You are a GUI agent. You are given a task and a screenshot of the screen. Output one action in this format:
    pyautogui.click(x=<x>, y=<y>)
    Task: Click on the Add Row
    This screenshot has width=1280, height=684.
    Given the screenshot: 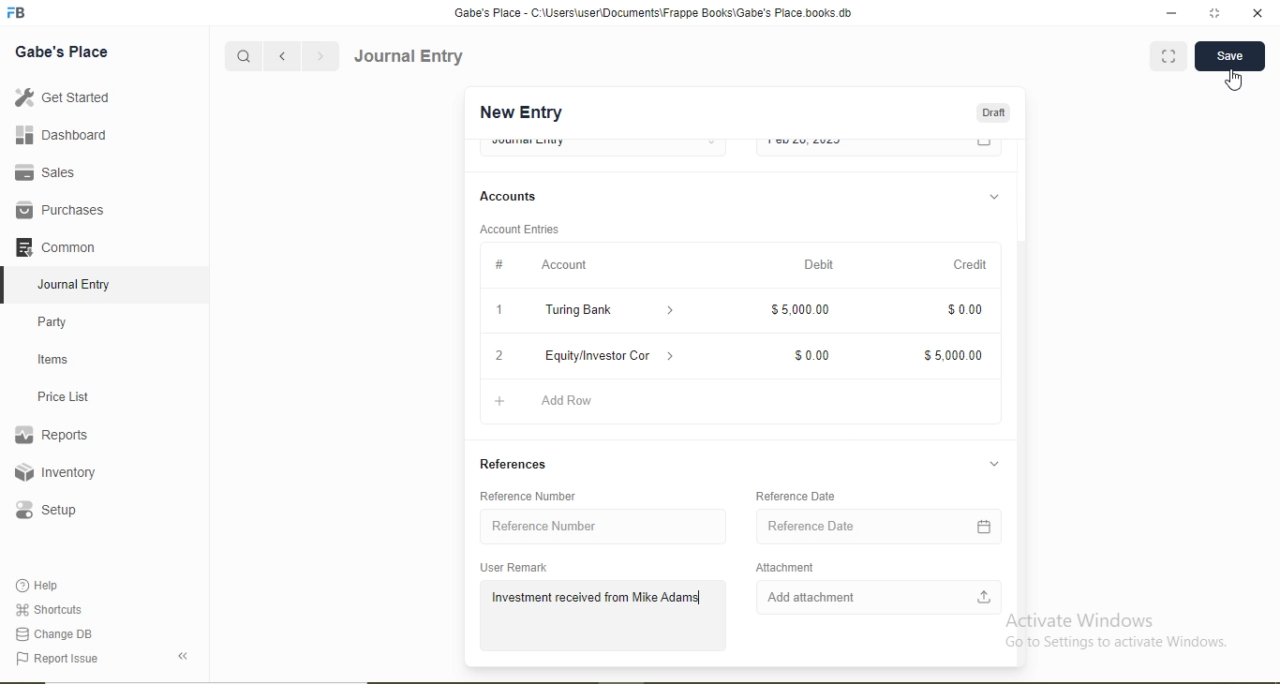 What is the action you would take?
    pyautogui.click(x=570, y=401)
    